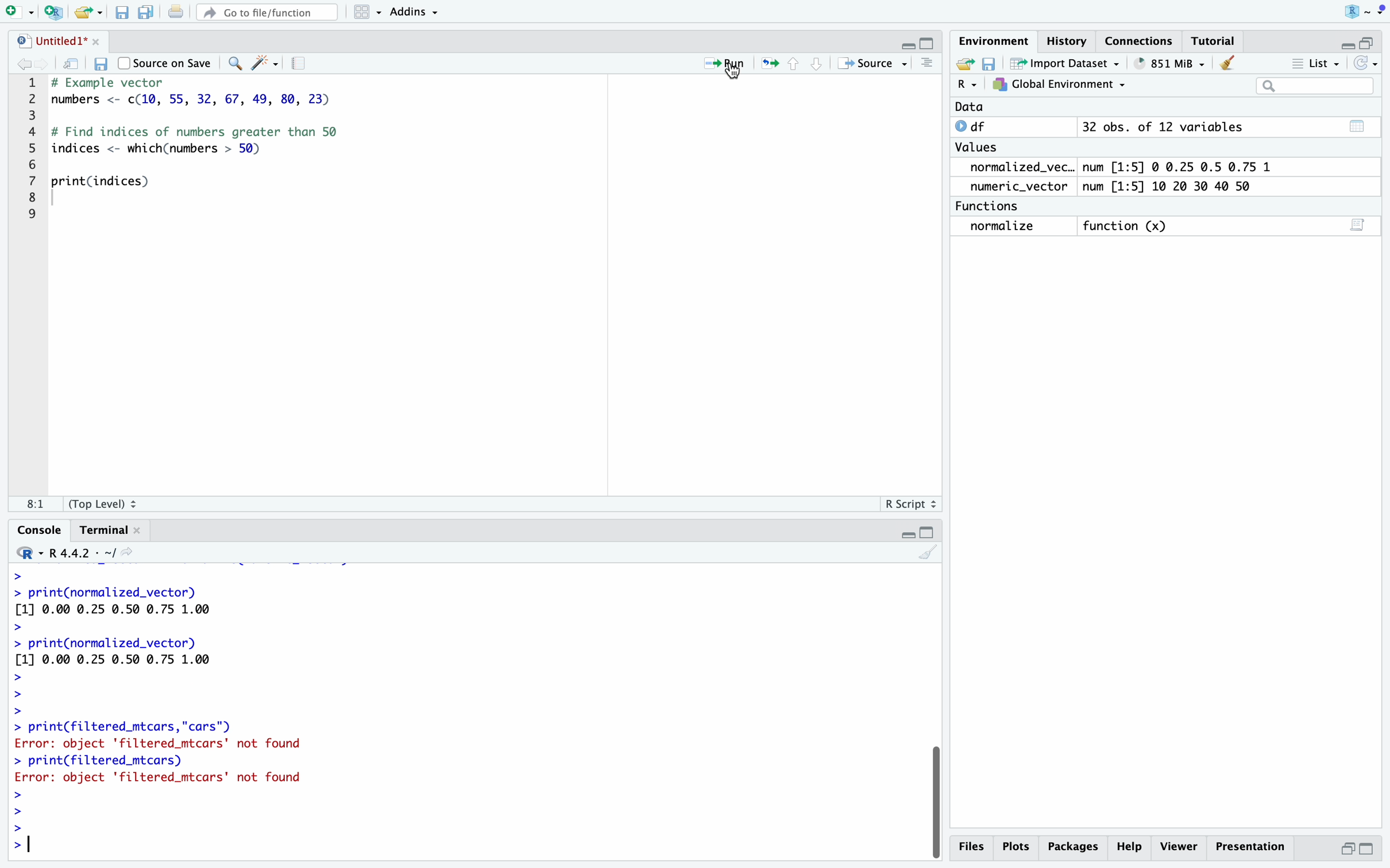 Image resolution: width=1390 pixels, height=868 pixels. I want to click on CLEAN UP, so click(926, 552).